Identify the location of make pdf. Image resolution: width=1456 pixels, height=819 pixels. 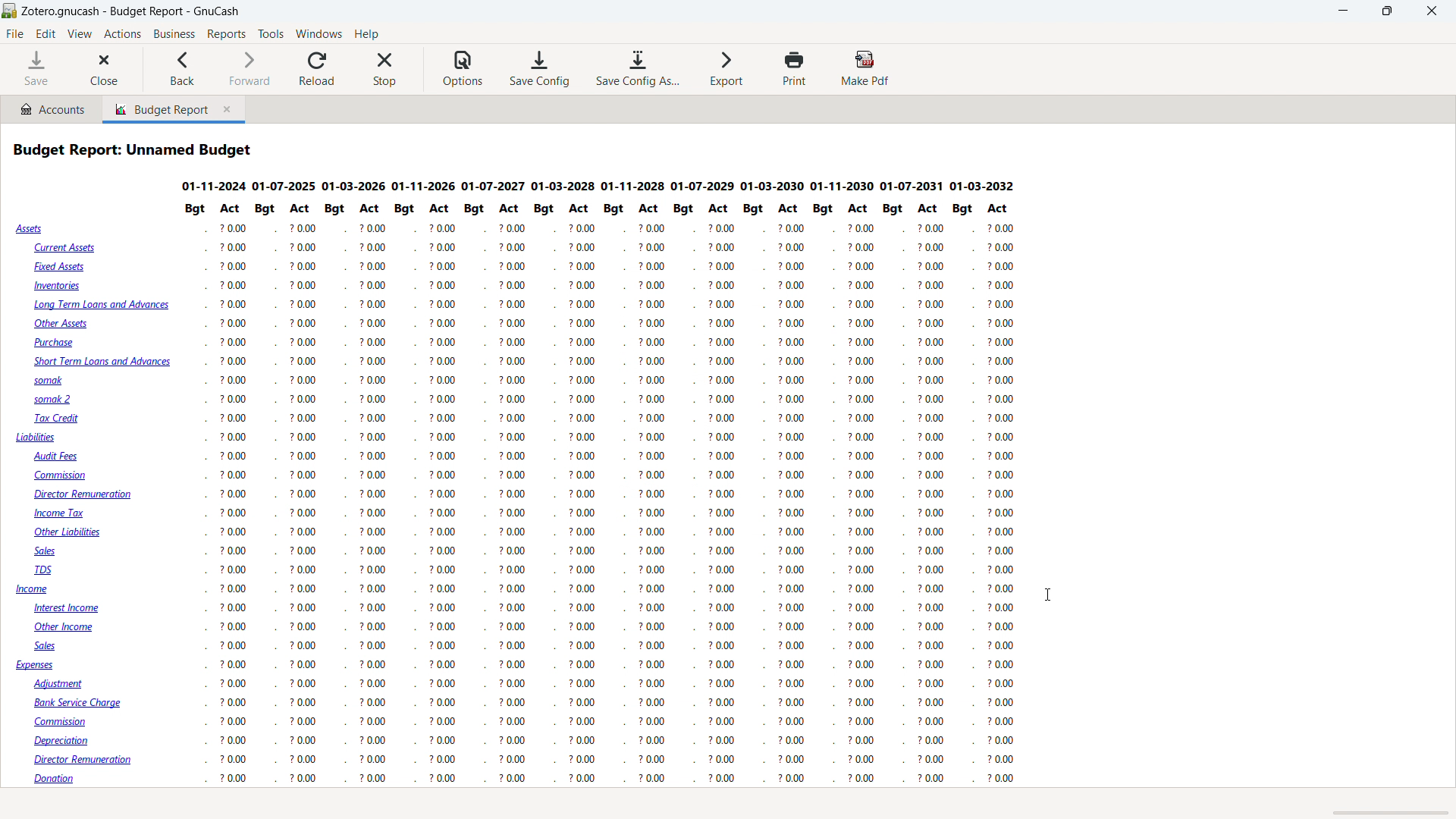
(866, 68).